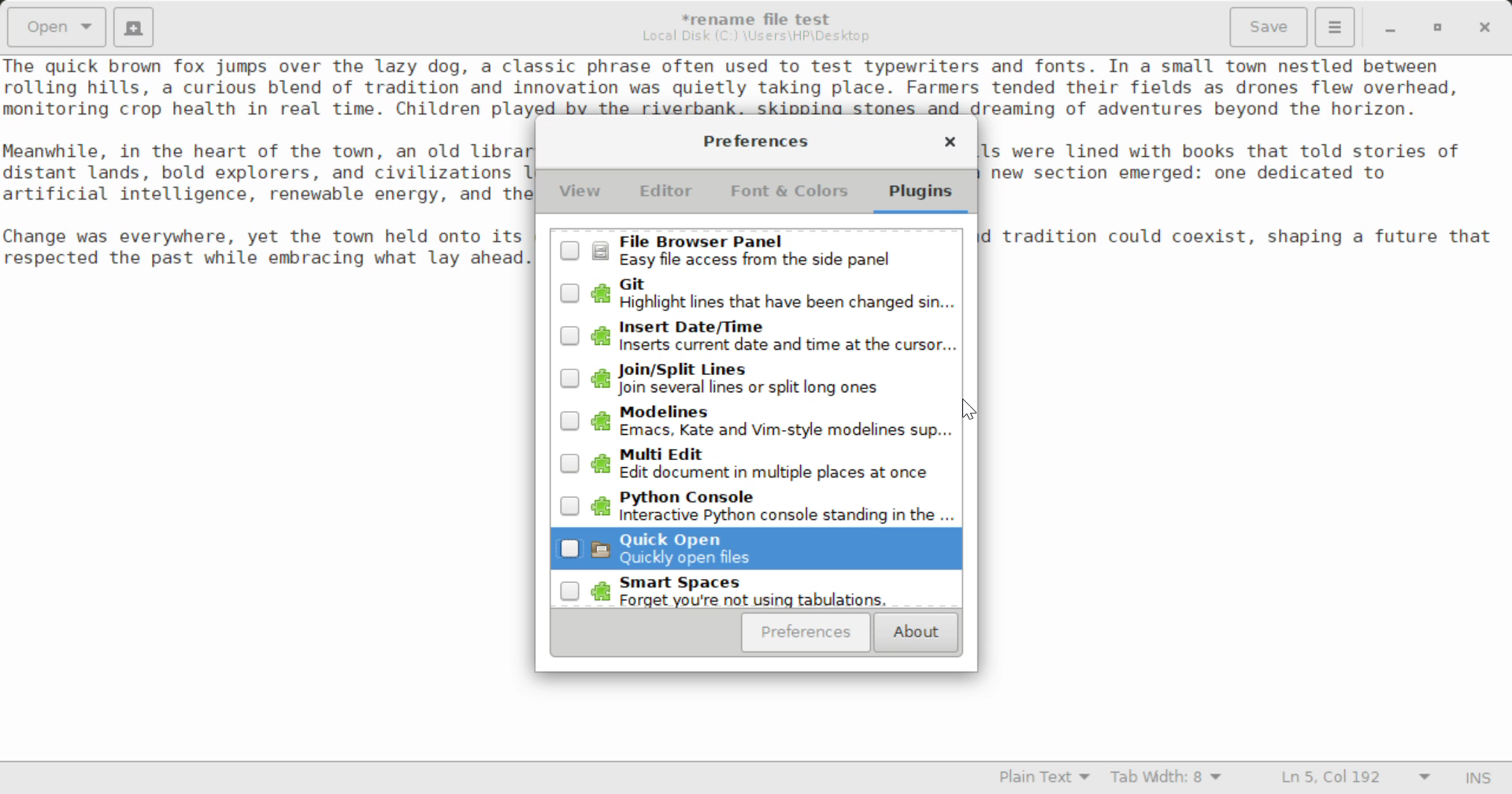 This screenshot has height=794, width=1512. What do you see at coordinates (913, 633) in the screenshot?
I see `About` at bounding box center [913, 633].